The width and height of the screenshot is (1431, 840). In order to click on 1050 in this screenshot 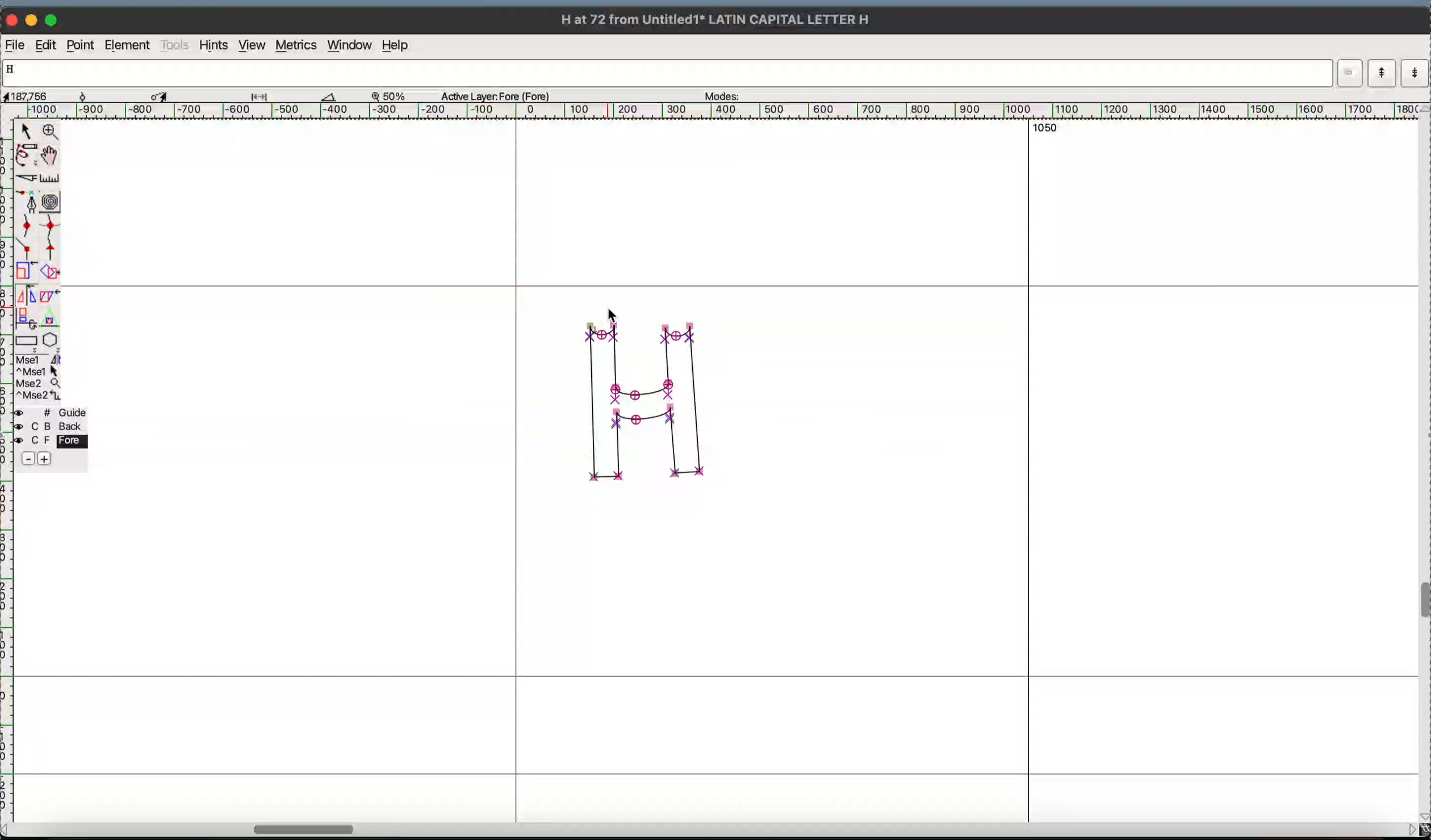, I will do `click(1043, 130)`.